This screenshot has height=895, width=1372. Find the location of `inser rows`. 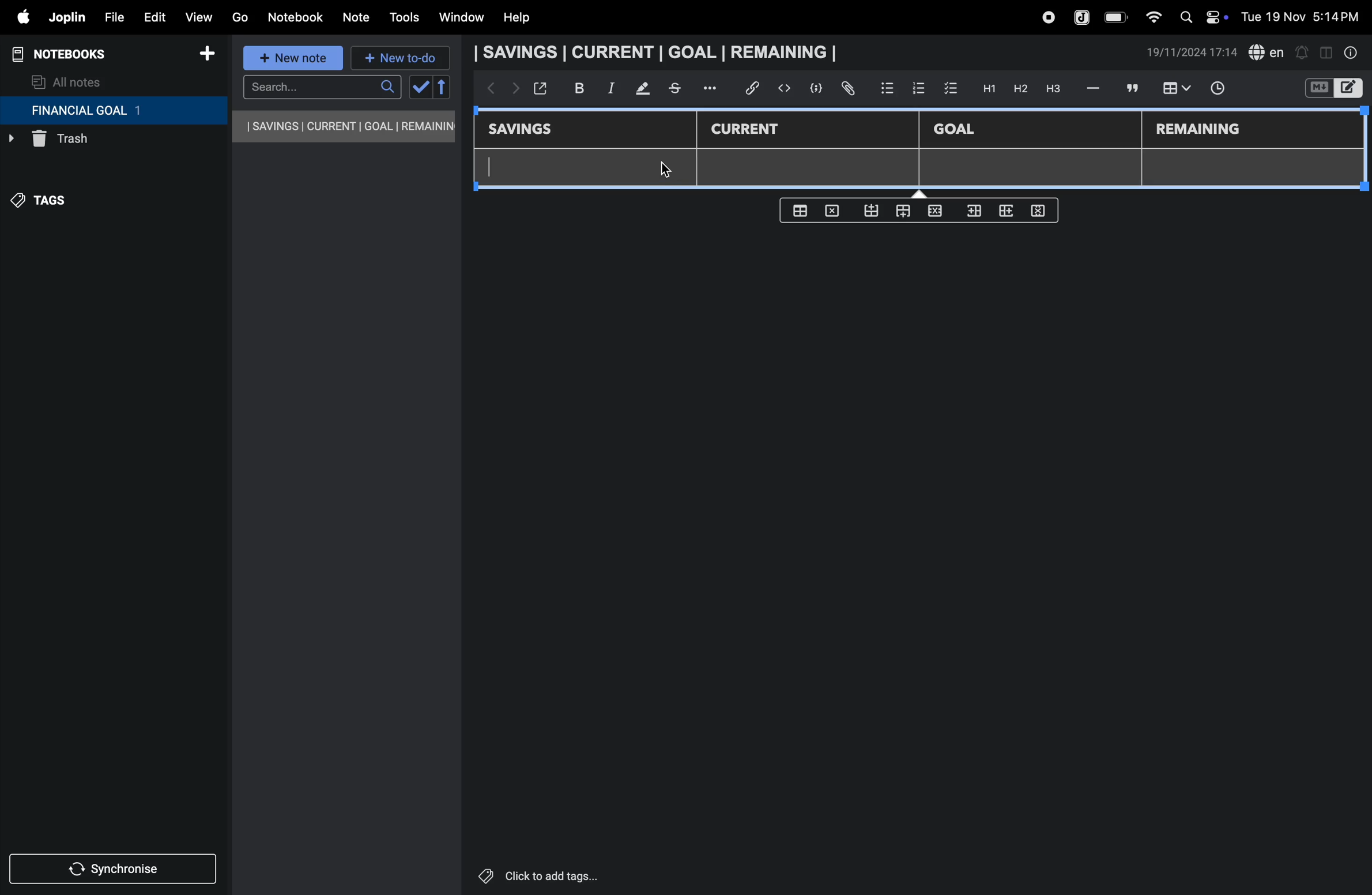

inser rows is located at coordinates (972, 213).